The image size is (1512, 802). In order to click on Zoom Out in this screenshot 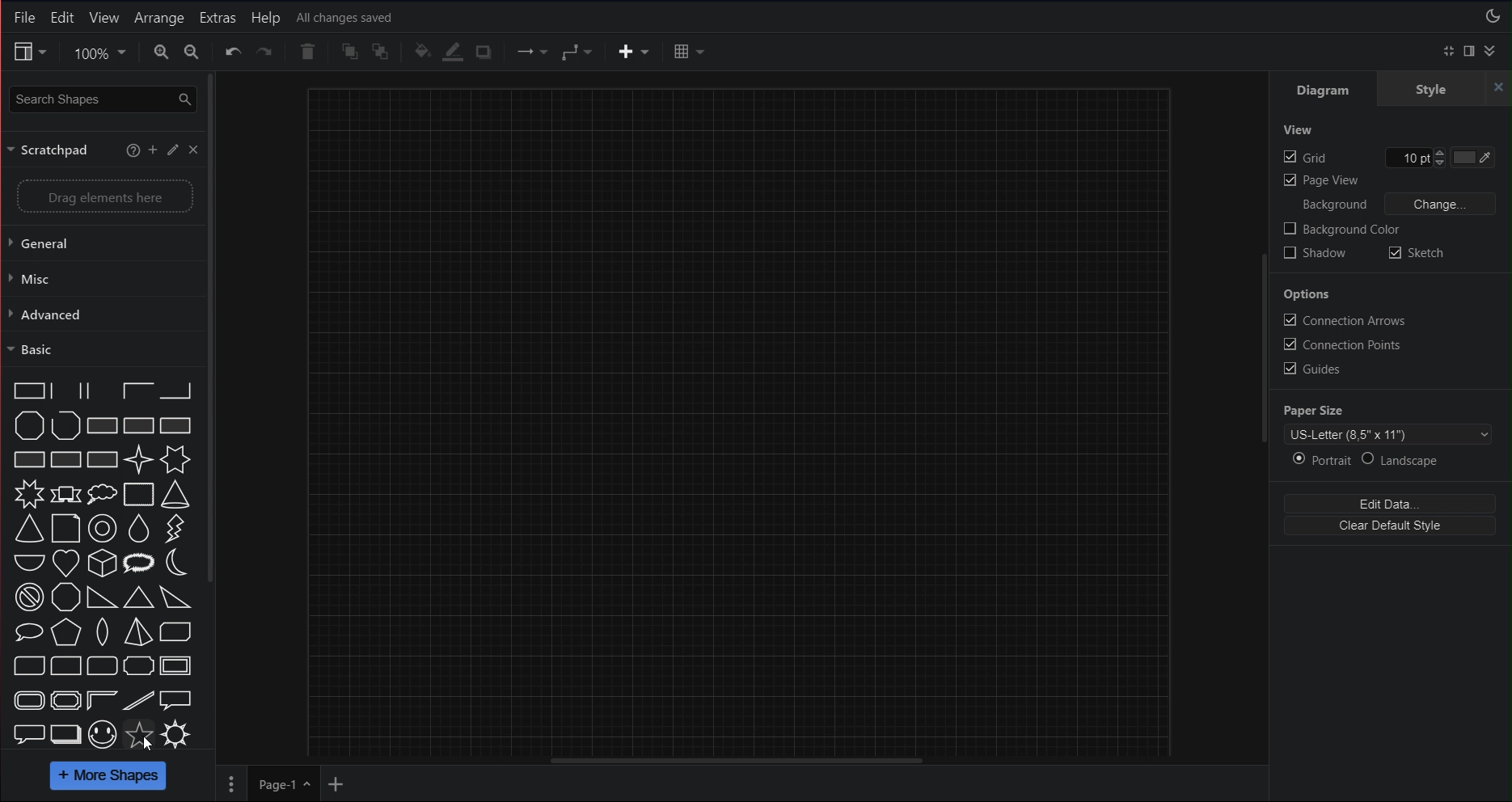, I will do `click(192, 52)`.